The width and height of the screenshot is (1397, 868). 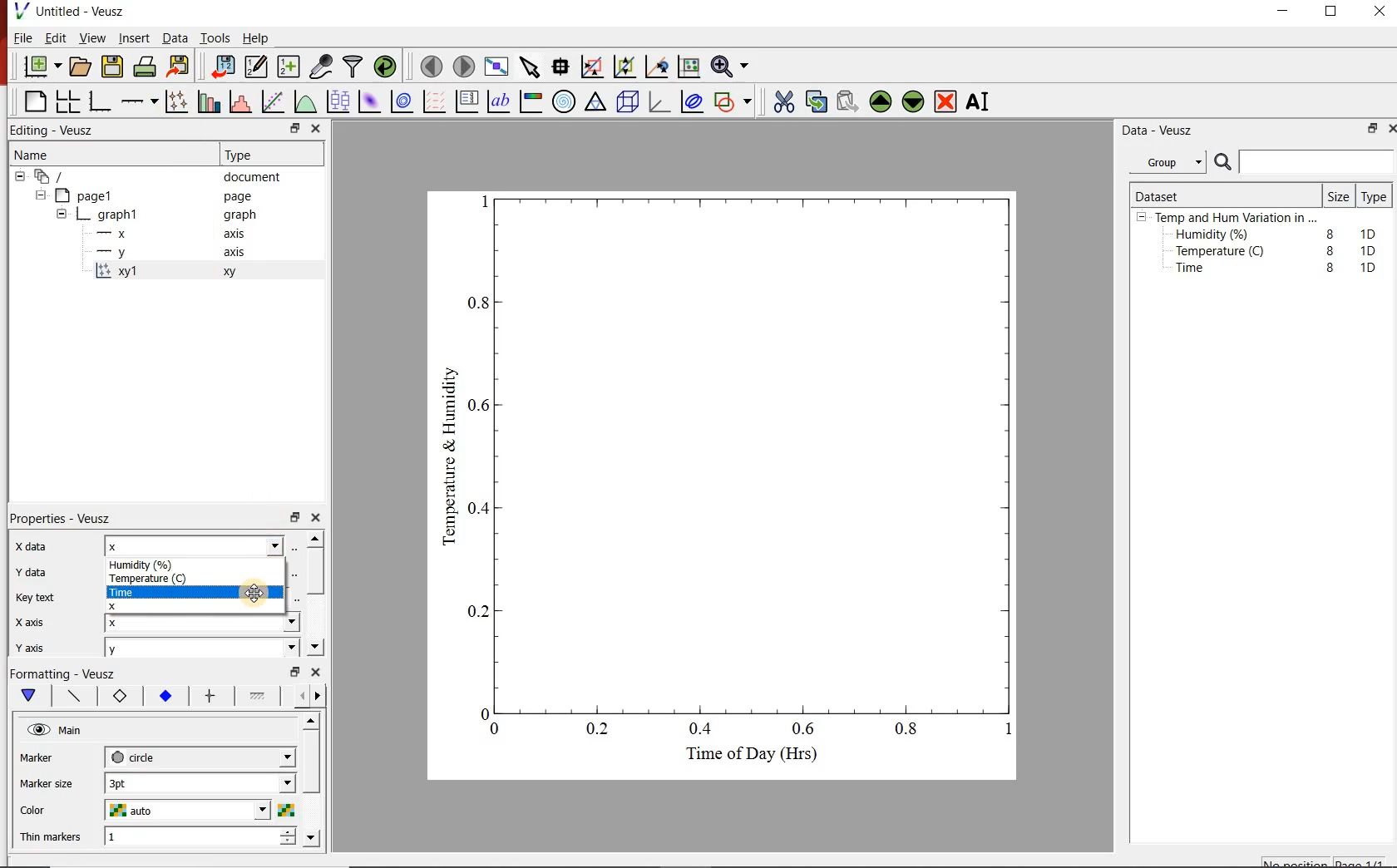 I want to click on close, so click(x=318, y=673).